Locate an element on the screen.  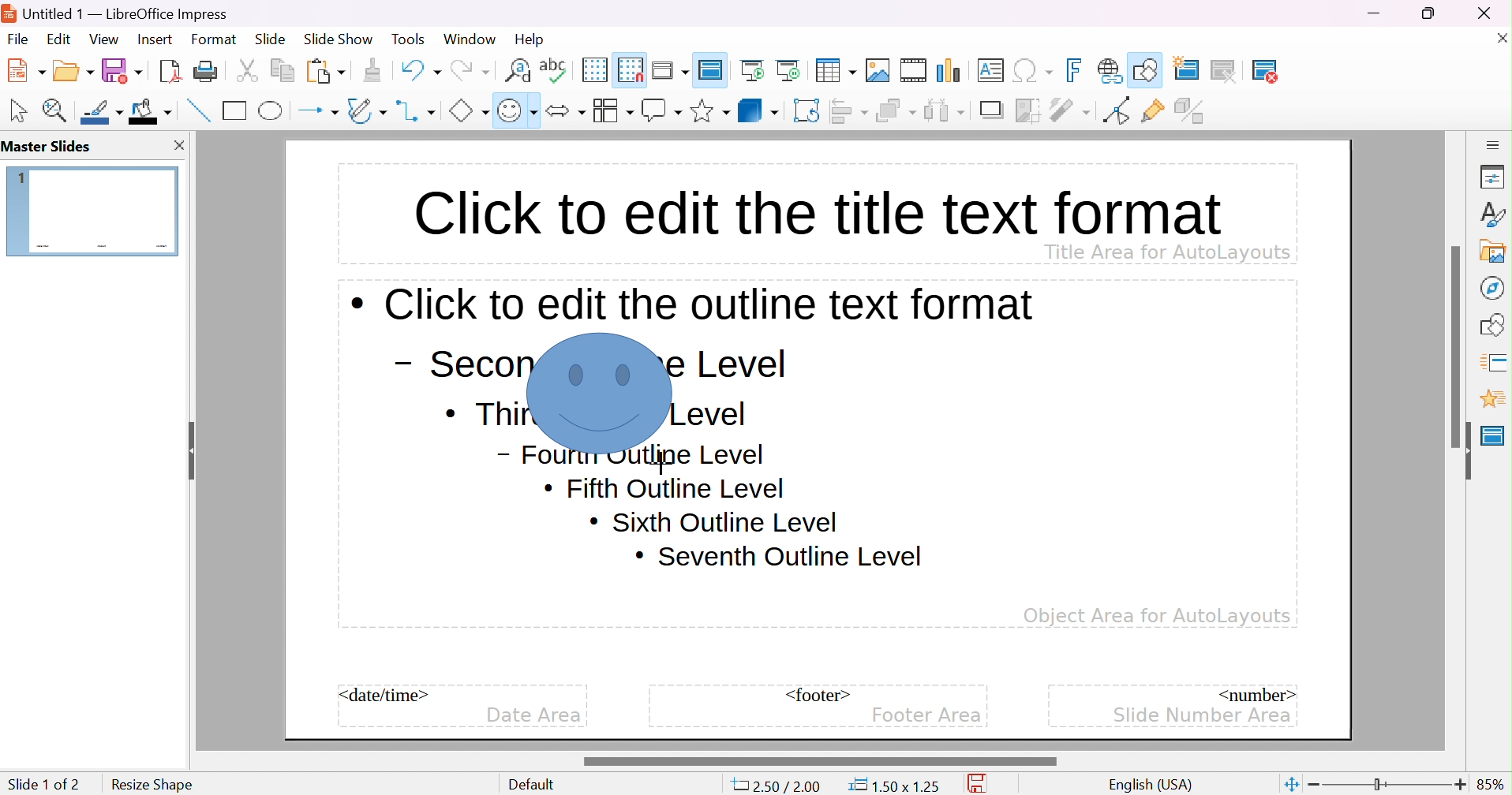
slider is located at coordinates (818, 761).